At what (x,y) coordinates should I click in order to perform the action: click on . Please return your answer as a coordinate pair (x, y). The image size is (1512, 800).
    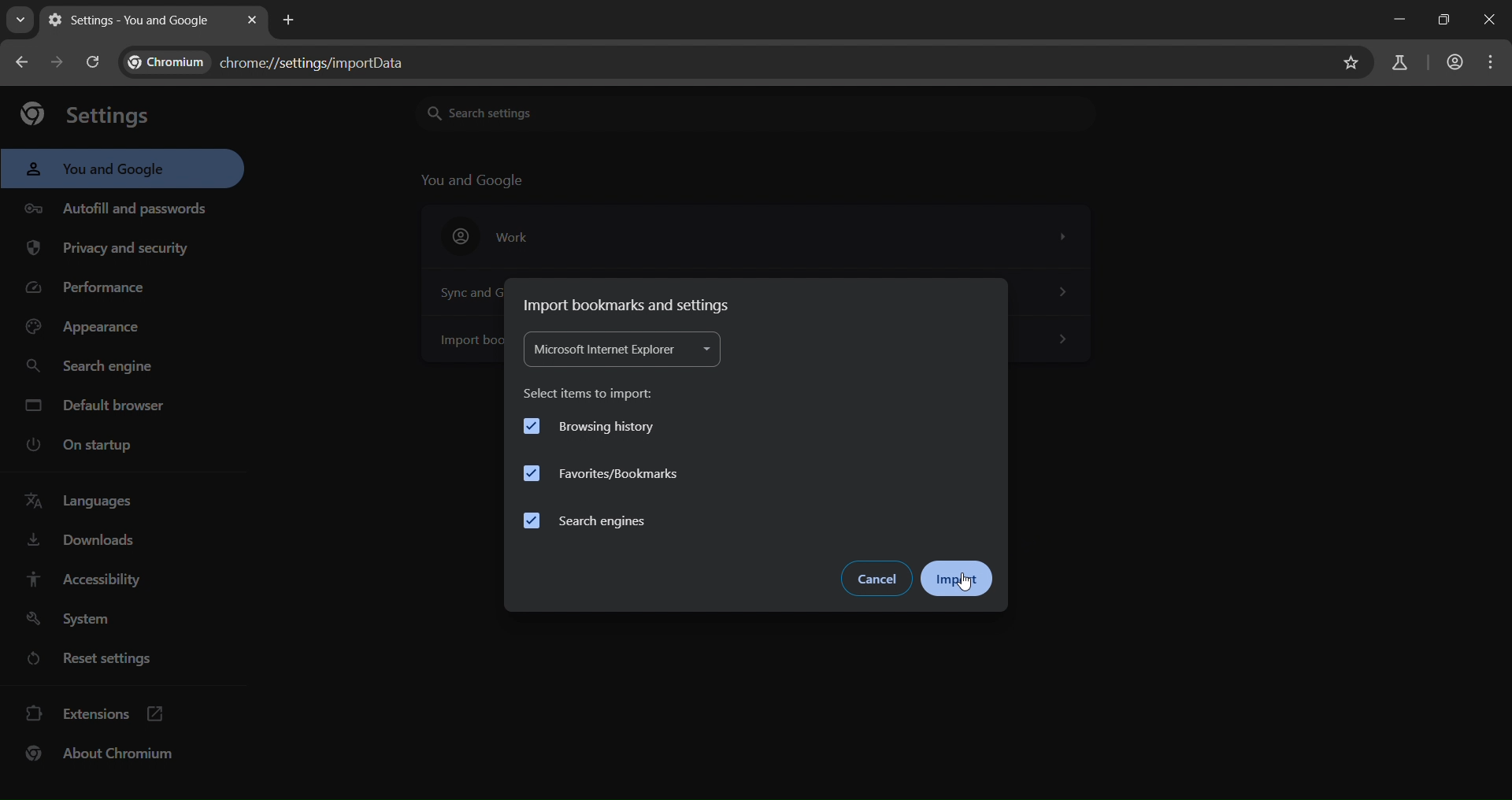
    Looking at the image, I should click on (1069, 345).